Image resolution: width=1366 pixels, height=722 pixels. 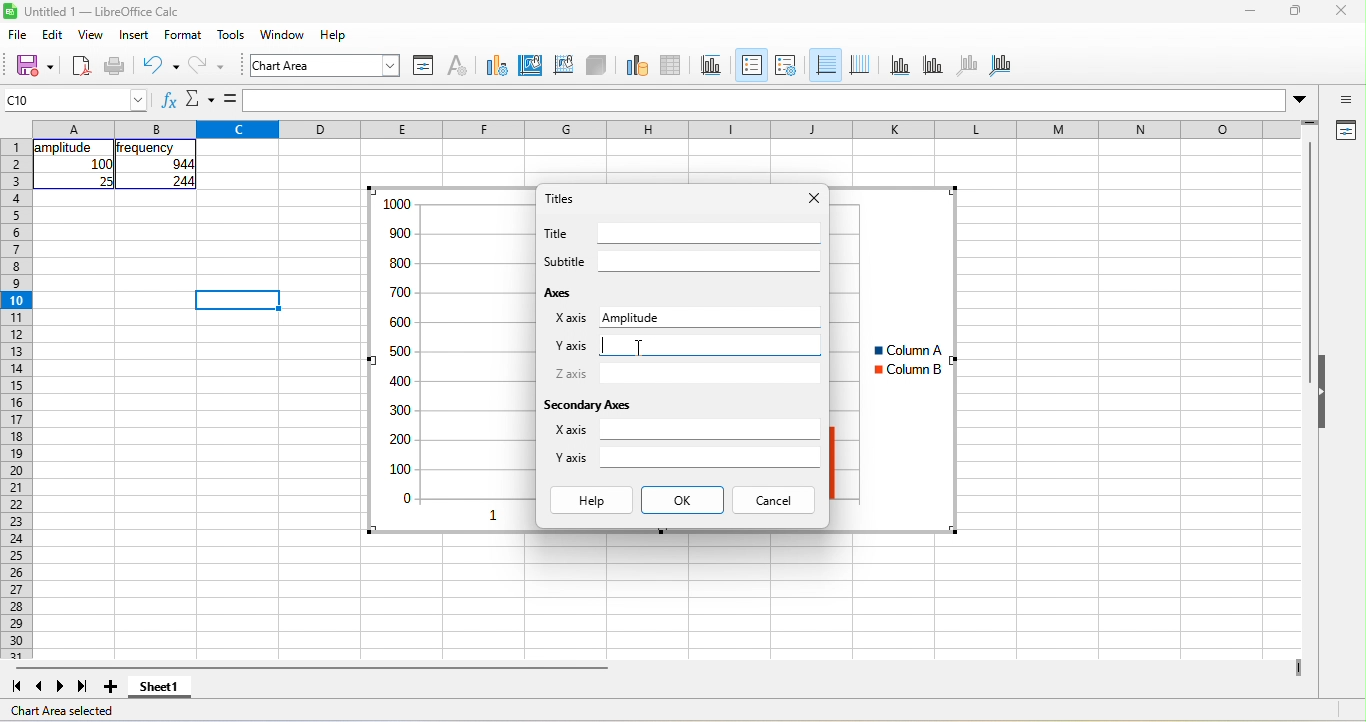 What do you see at coordinates (450, 360) in the screenshot?
I see `Column chart` at bounding box center [450, 360].